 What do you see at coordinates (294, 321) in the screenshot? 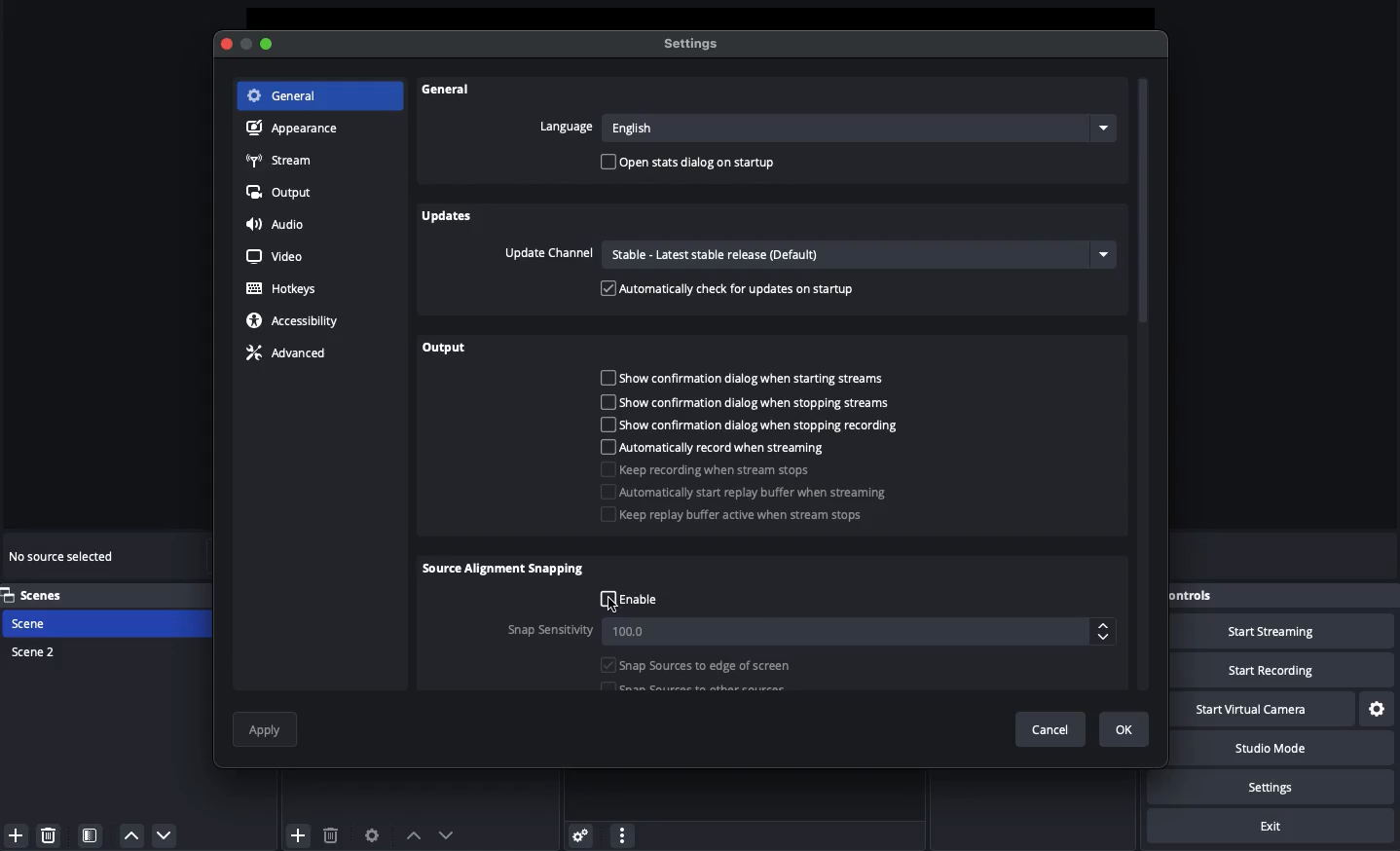
I see `Accessibility ` at bounding box center [294, 321].